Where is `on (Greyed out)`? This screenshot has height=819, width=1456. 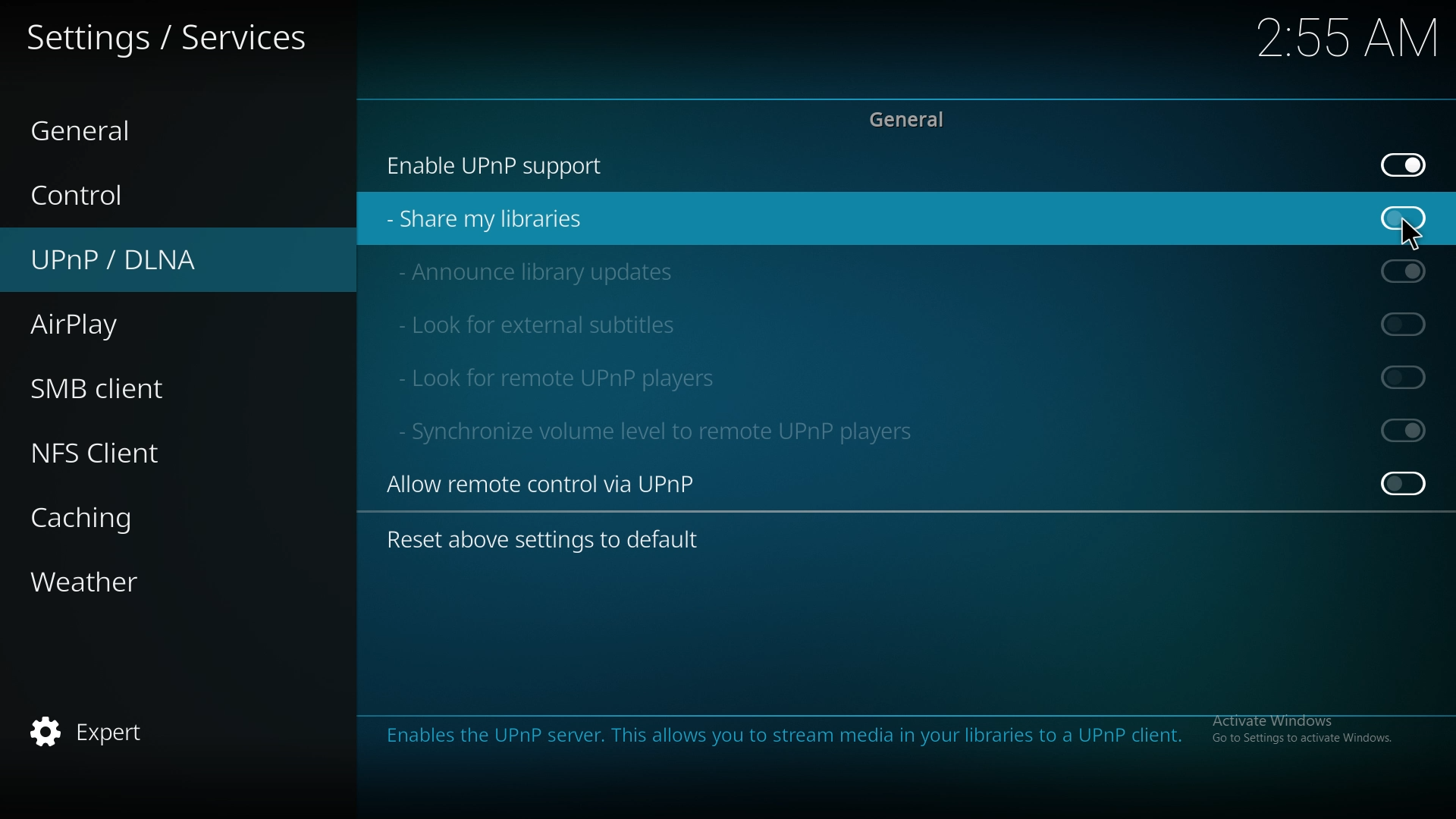 on (Greyed out) is located at coordinates (1409, 271).